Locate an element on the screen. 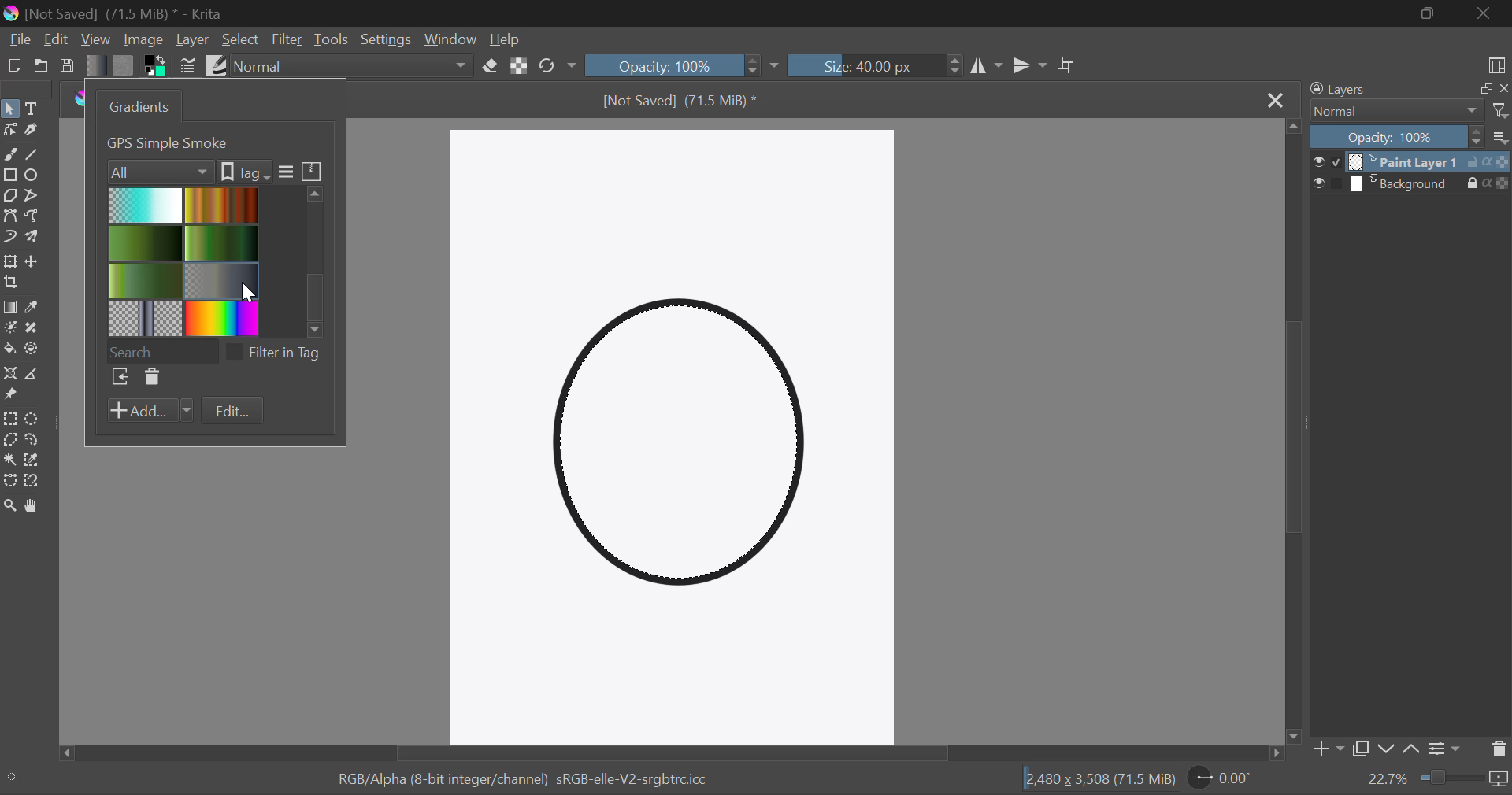  Close is located at coordinates (1276, 102).